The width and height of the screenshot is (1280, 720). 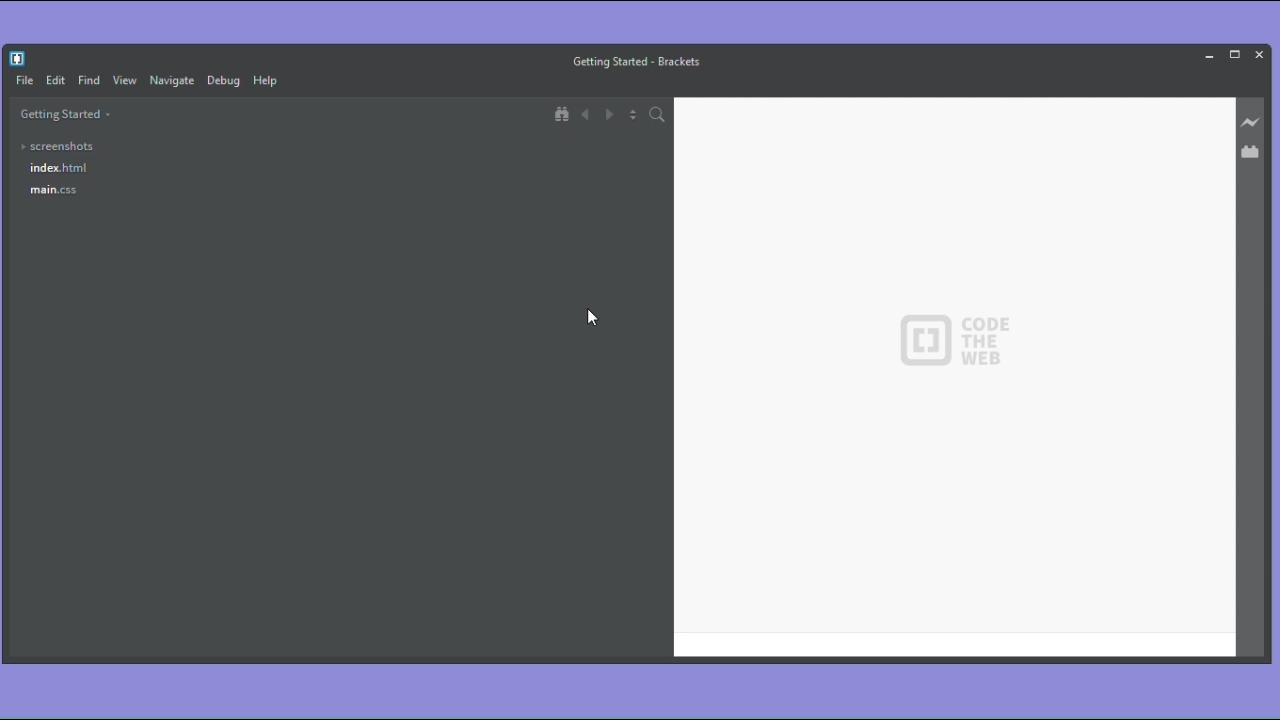 I want to click on Split editor vertically or horizontally, so click(x=635, y=117).